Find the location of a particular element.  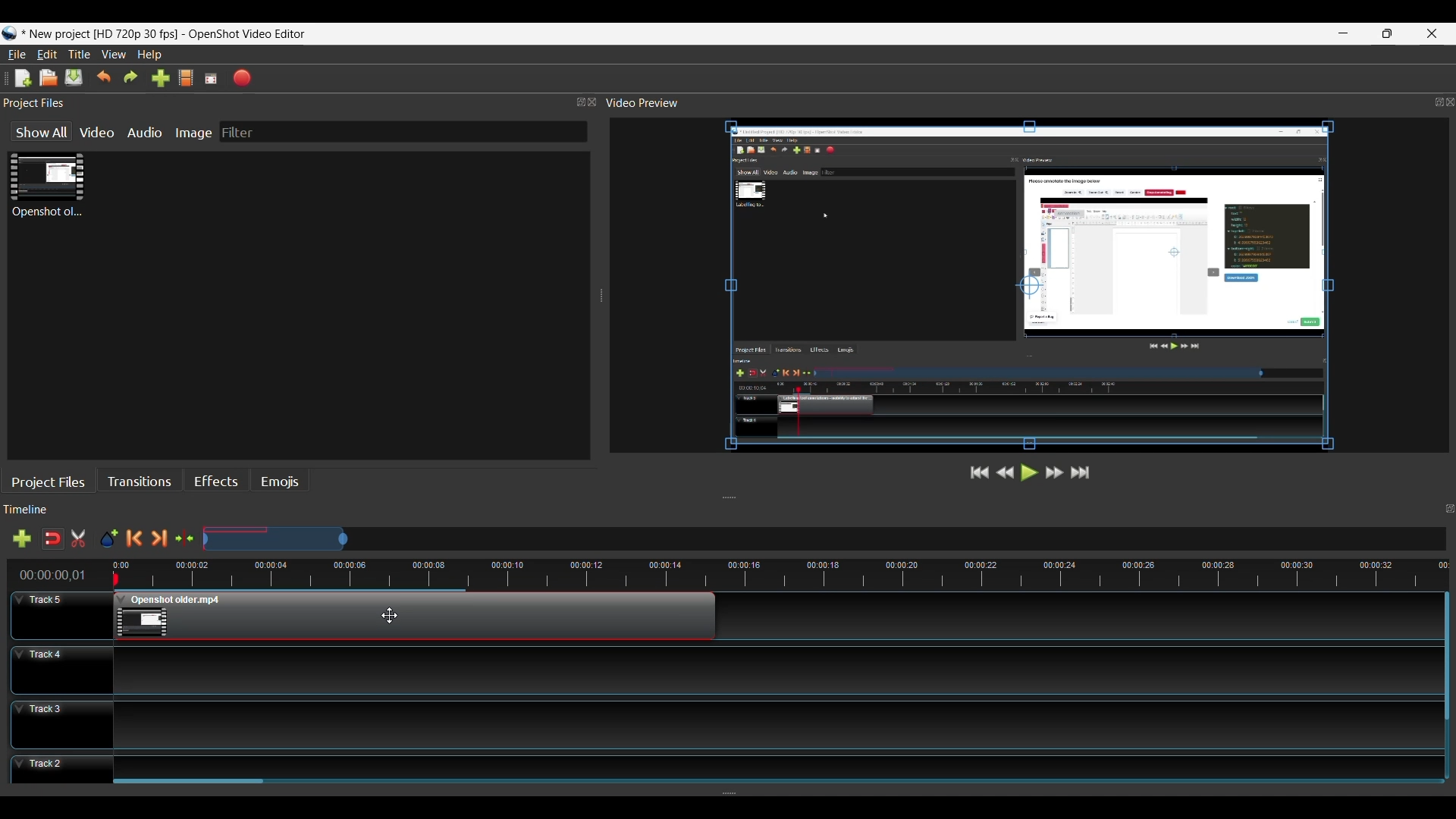

Choose File is located at coordinates (189, 79).